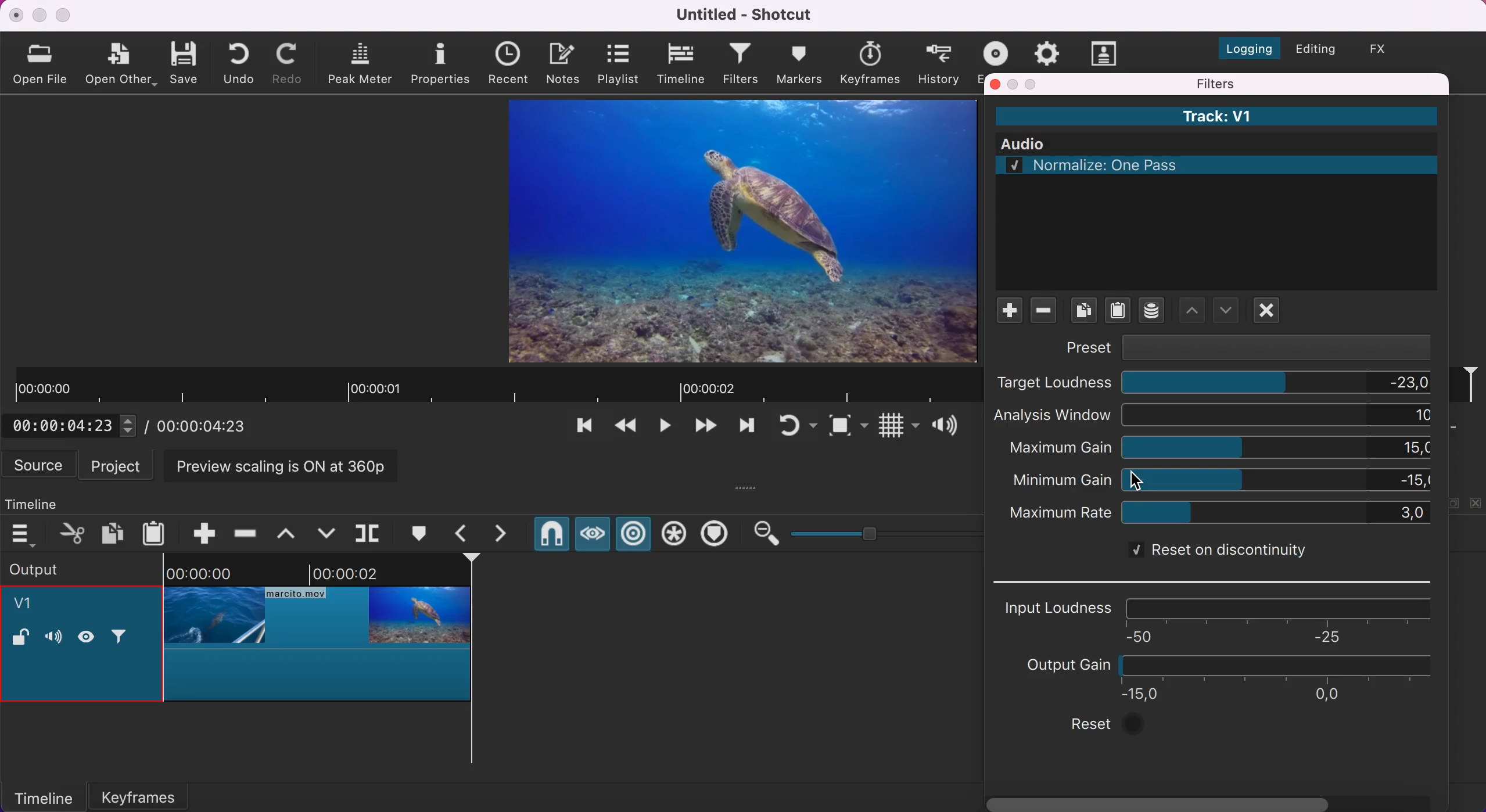 The width and height of the screenshot is (1486, 812). What do you see at coordinates (465, 533) in the screenshot?
I see `previous marker` at bounding box center [465, 533].